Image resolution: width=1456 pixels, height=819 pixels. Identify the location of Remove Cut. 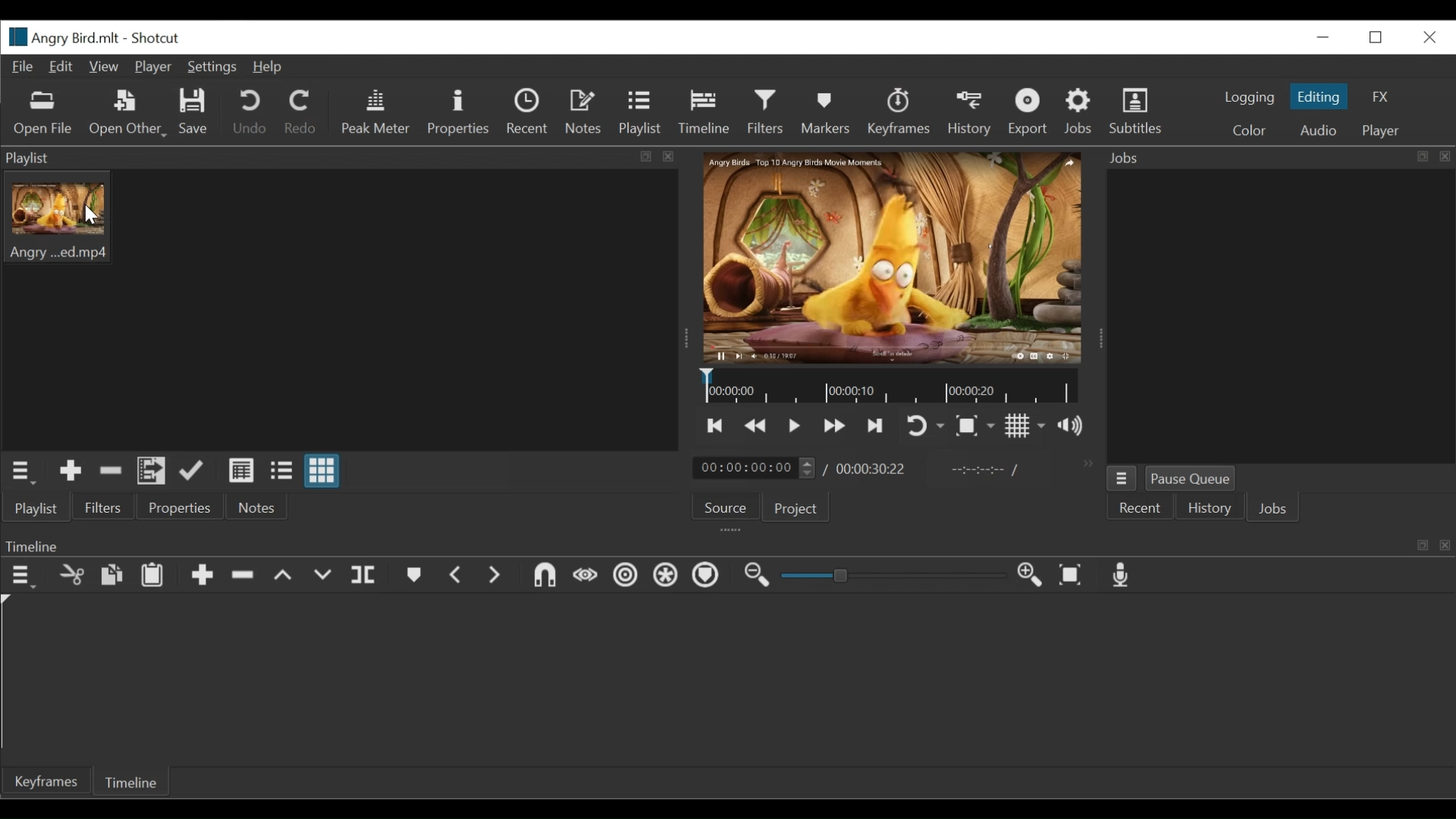
(111, 470).